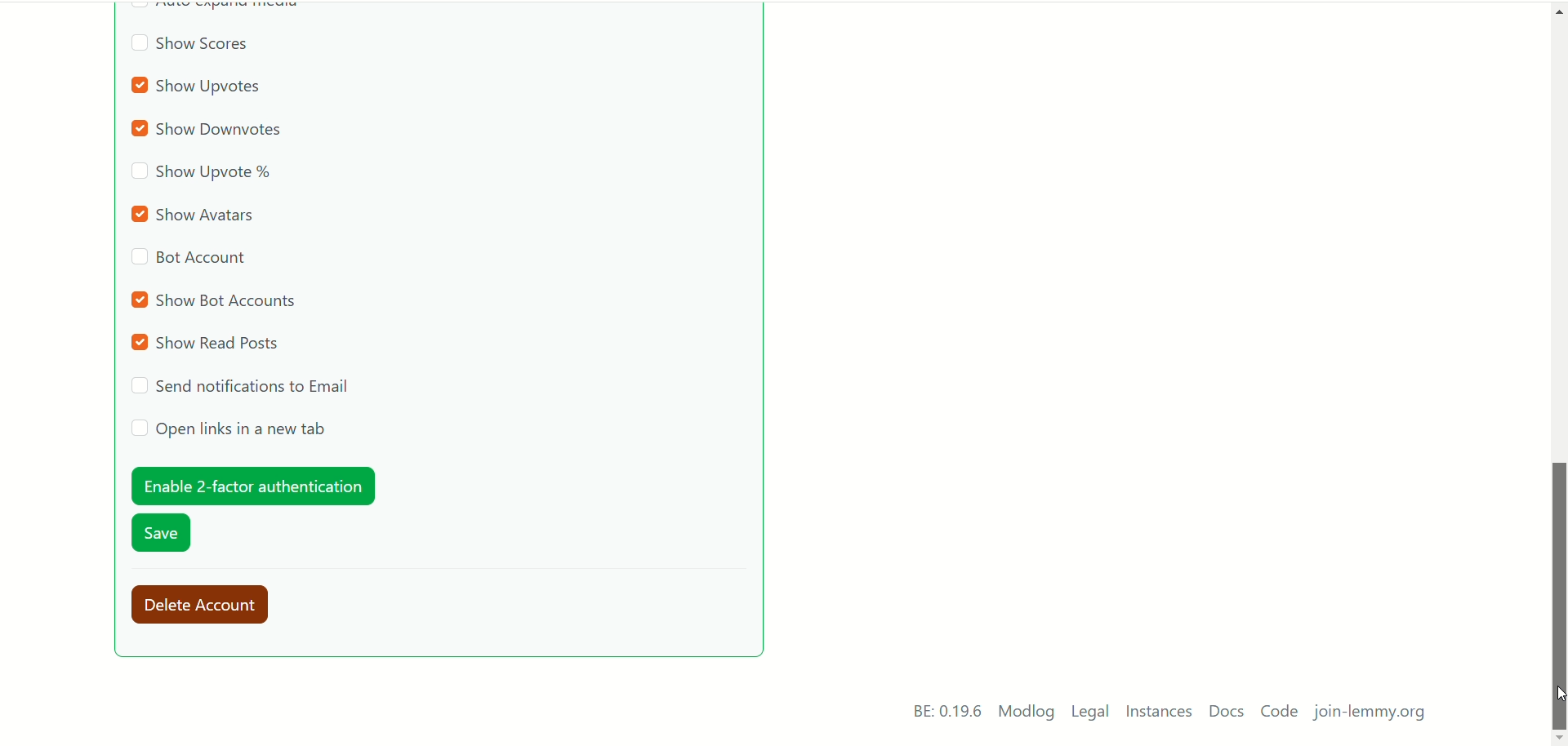 This screenshot has width=1568, height=746. I want to click on modlog, so click(1027, 713).